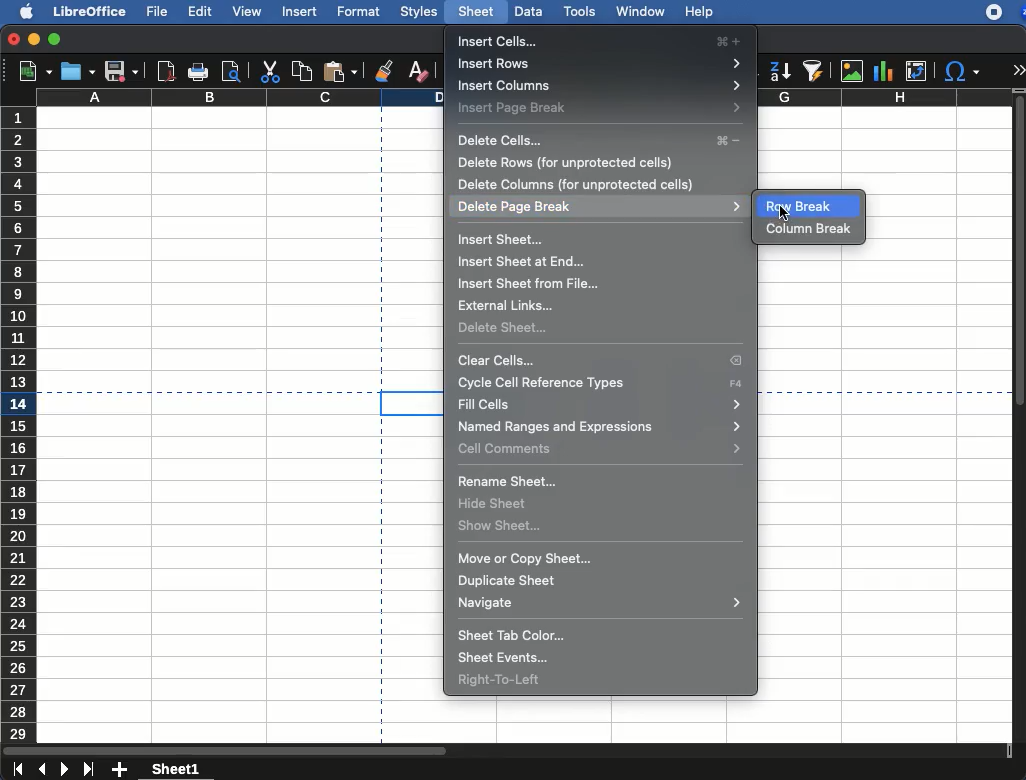 This screenshot has width=1026, height=780. Describe the element at coordinates (512, 483) in the screenshot. I see `rename sheet` at that location.